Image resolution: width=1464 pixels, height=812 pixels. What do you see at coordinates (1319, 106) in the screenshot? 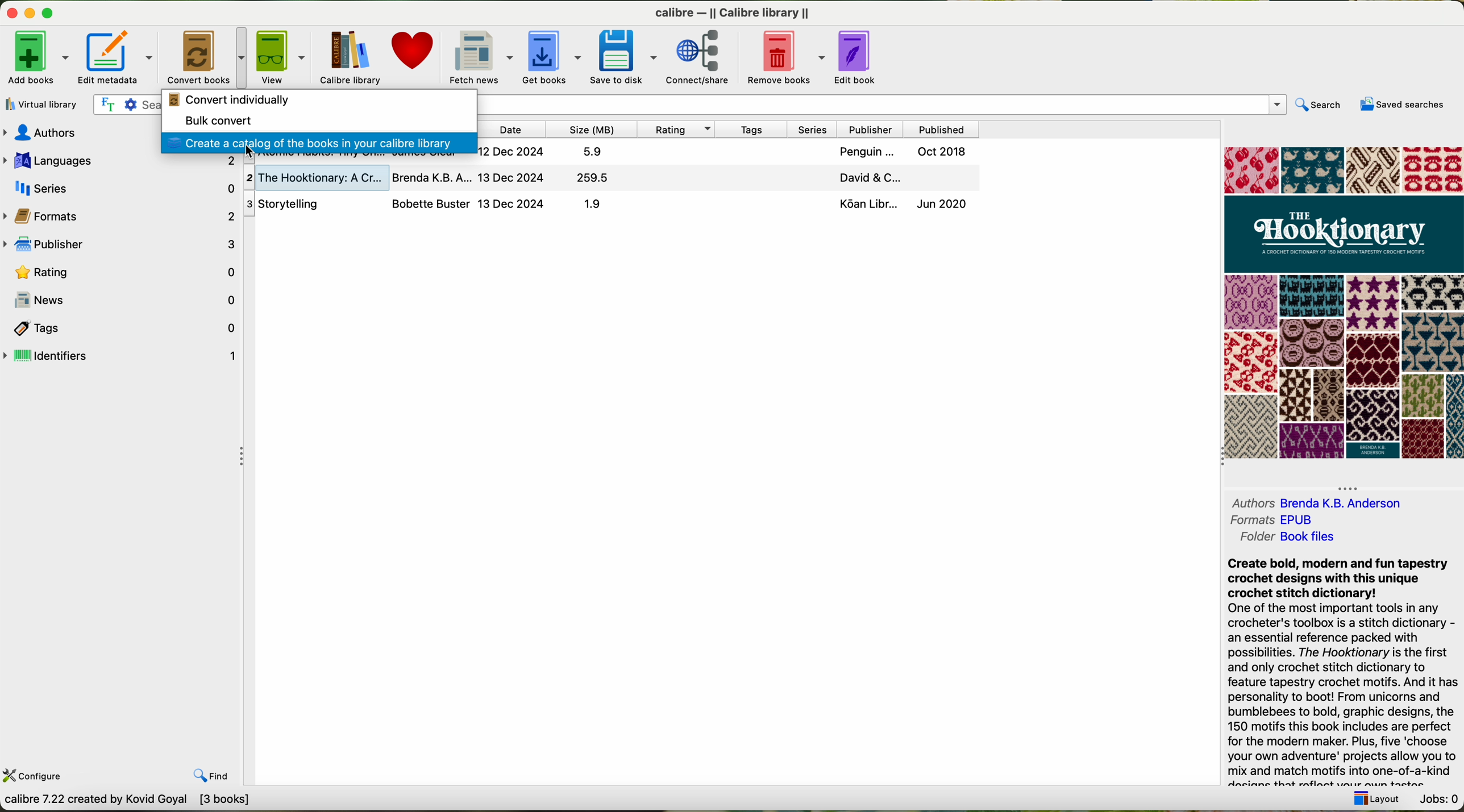
I see `search` at bounding box center [1319, 106].